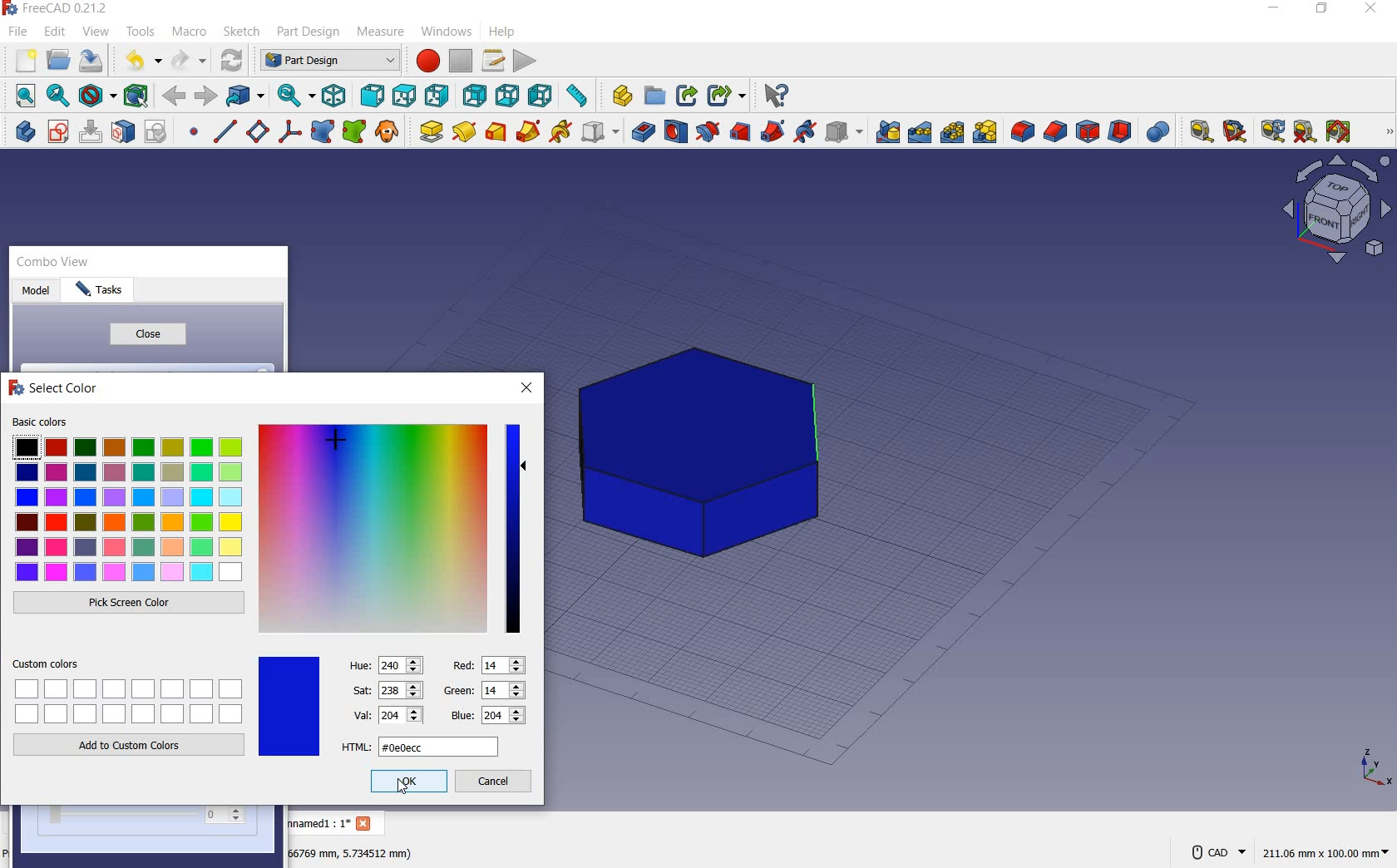  Describe the element at coordinates (190, 32) in the screenshot. I see `macro` at that location.